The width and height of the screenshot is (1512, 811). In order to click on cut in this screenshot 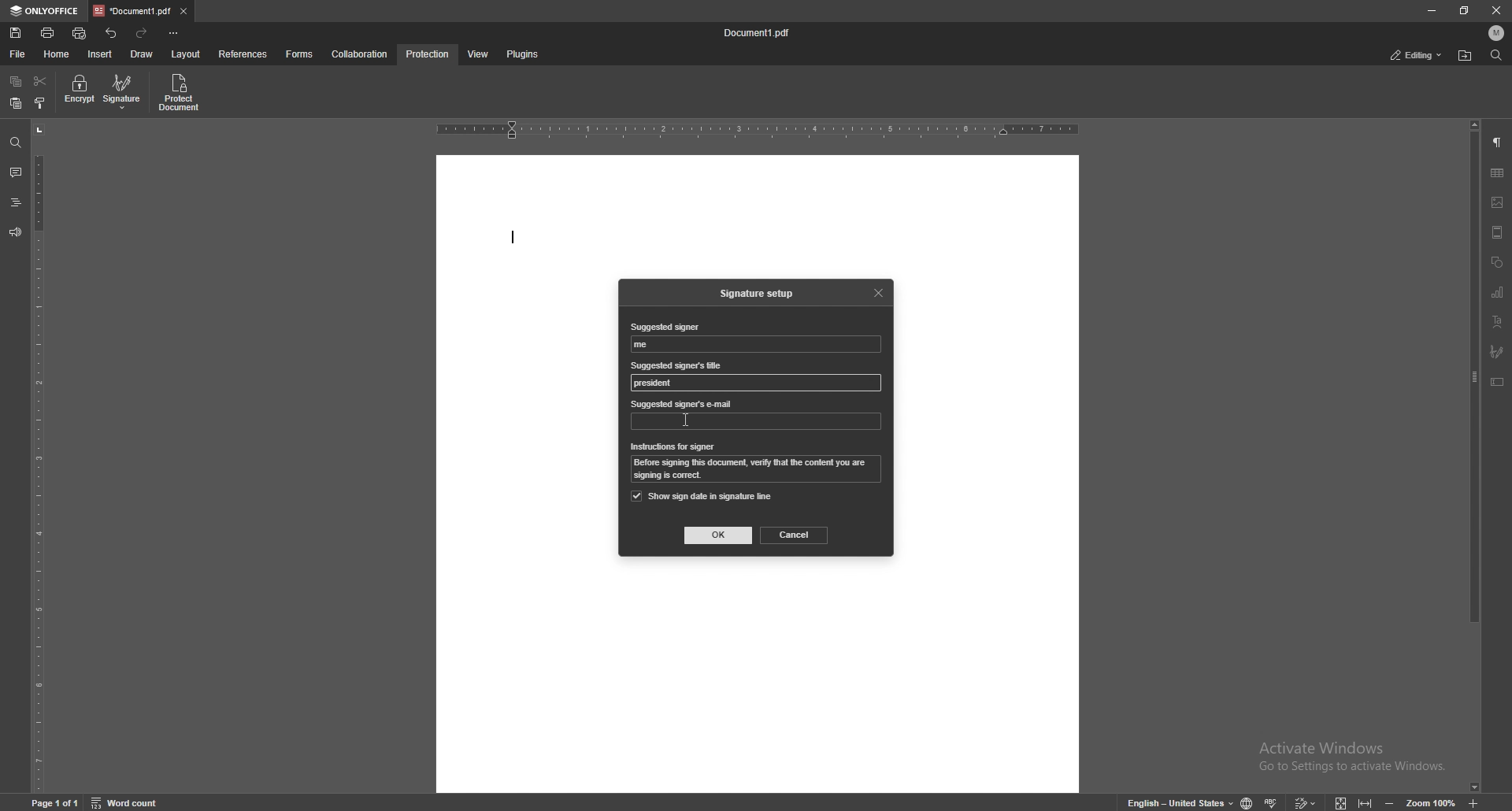, I will do `click(40, 82)`.